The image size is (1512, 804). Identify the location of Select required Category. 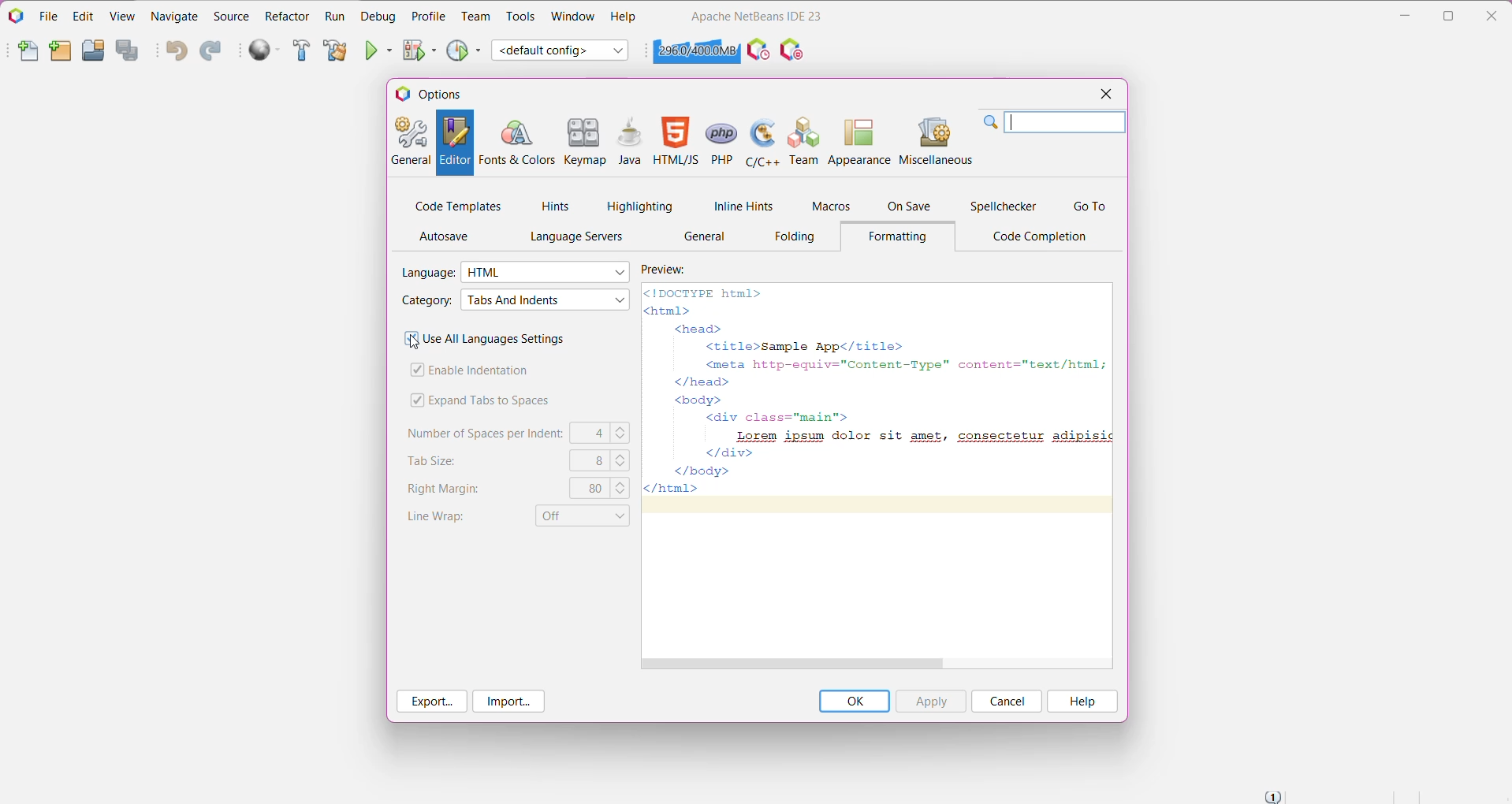
(548, 300).